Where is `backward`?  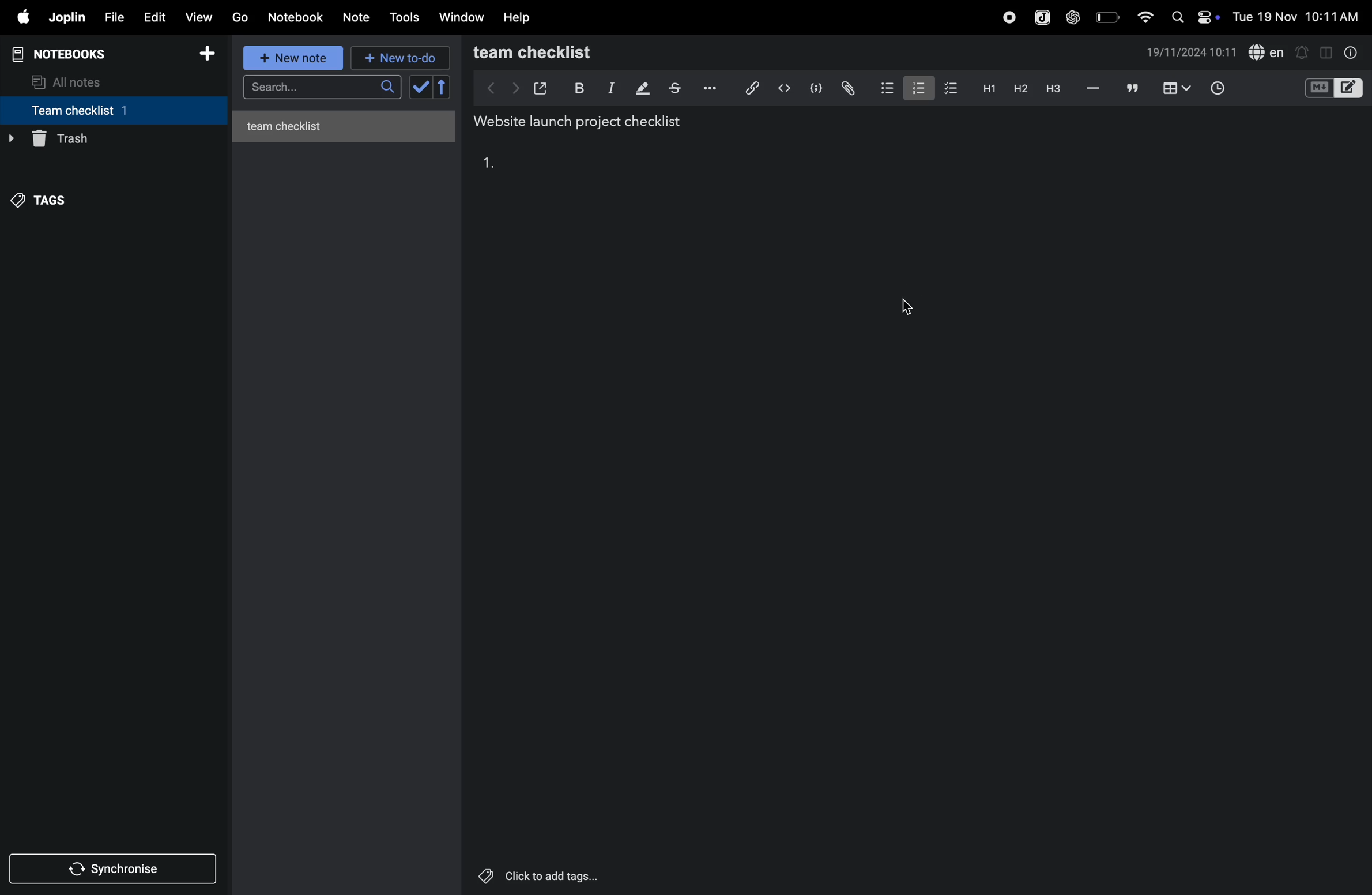
backward is located at coordinates (485, 88).